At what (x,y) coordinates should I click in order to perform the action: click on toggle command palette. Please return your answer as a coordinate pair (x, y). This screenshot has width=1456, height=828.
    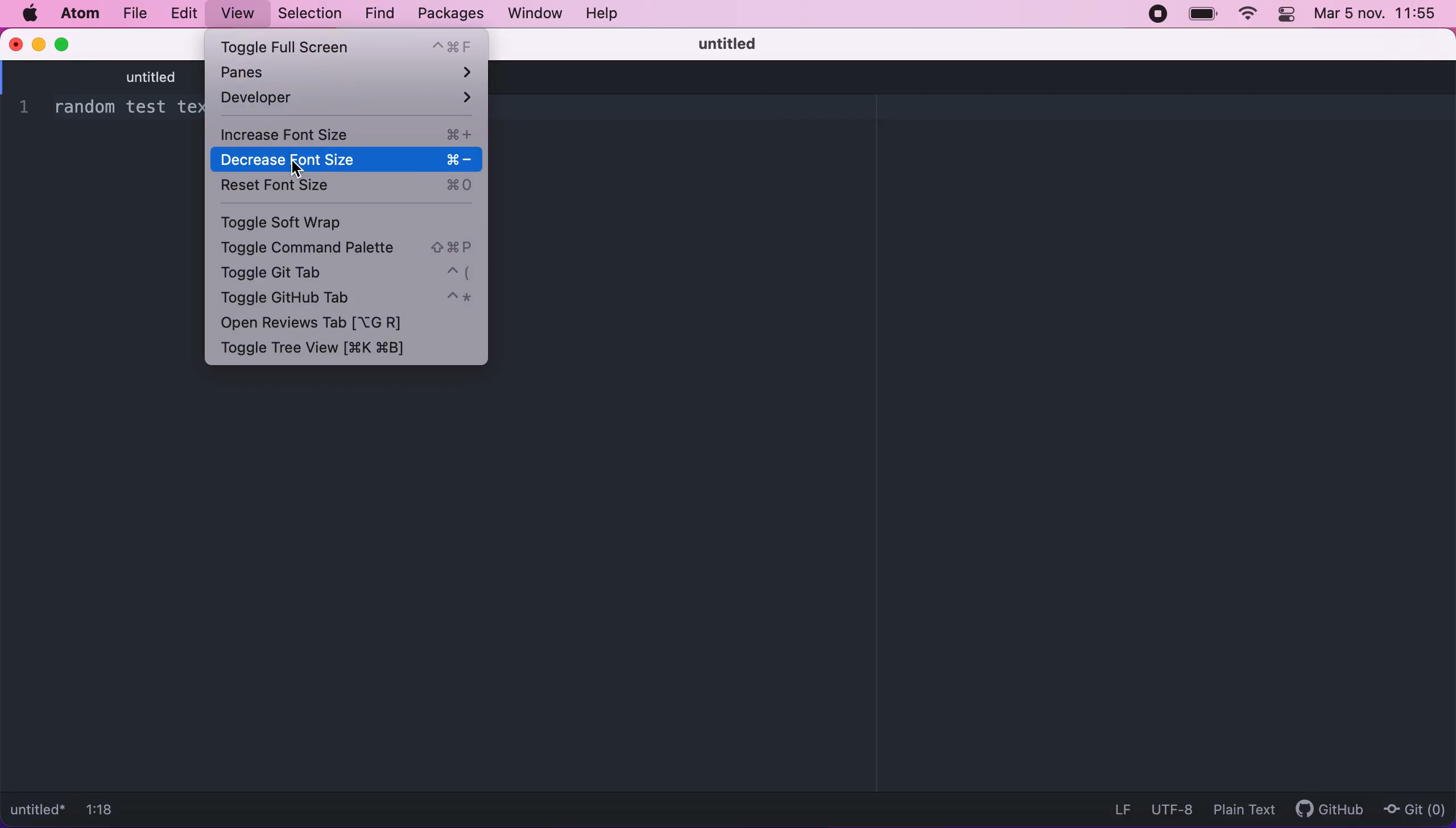
    Looking at the image, I should click on (347, 249).